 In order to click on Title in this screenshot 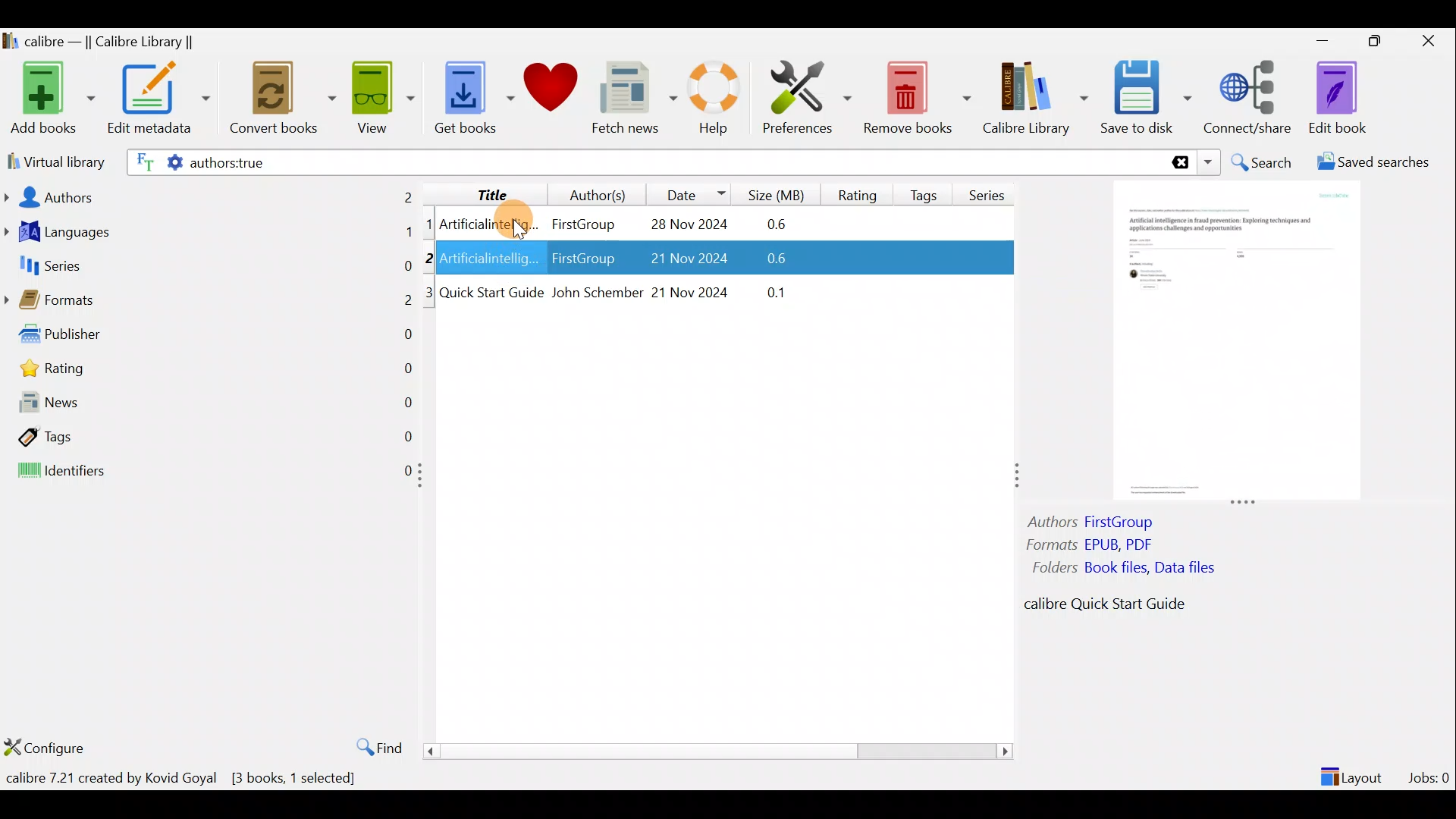, I will do `click(480, 192)`.